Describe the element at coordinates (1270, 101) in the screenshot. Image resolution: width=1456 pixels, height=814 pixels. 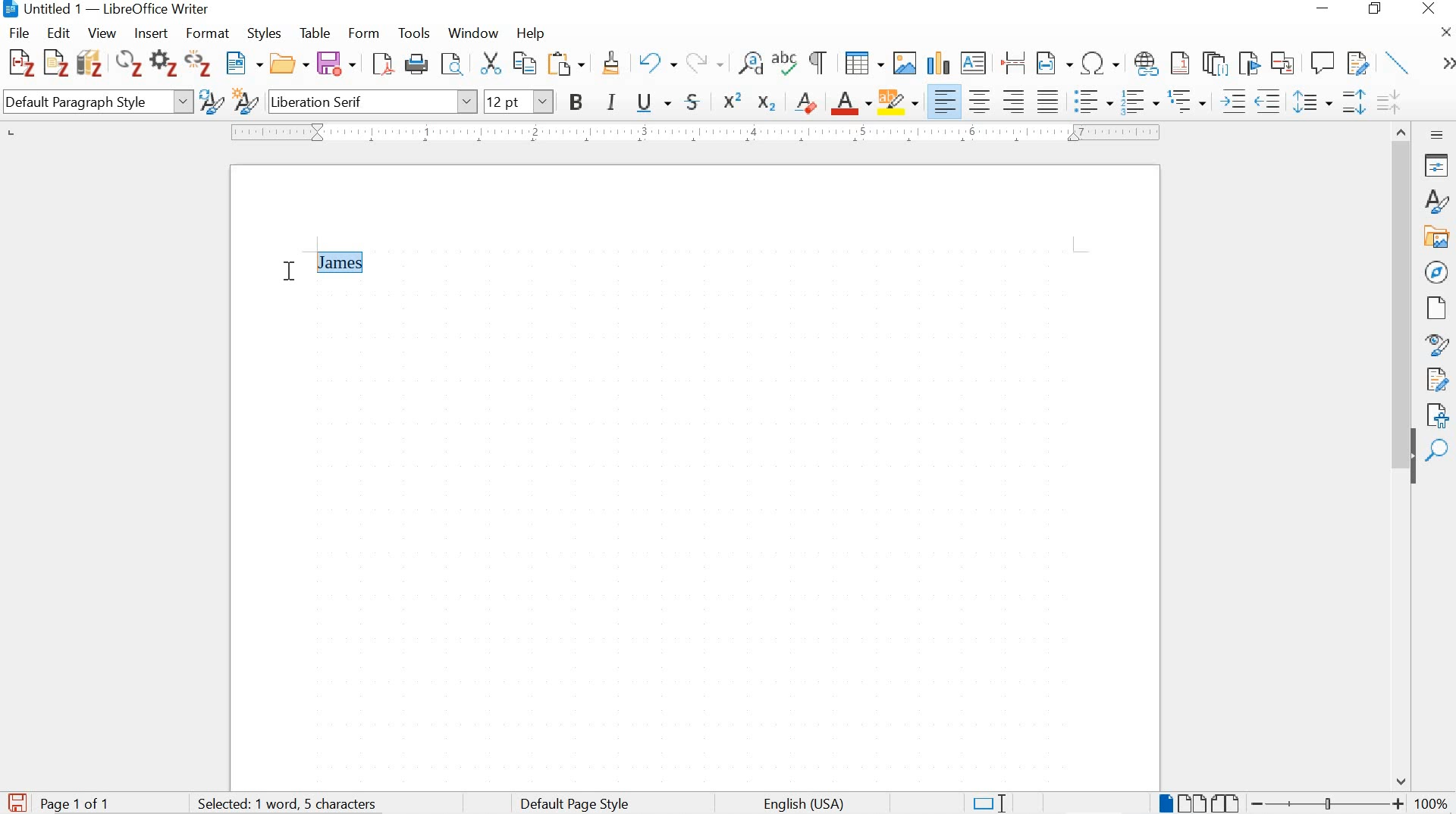
I see `decrease indent` at that location.